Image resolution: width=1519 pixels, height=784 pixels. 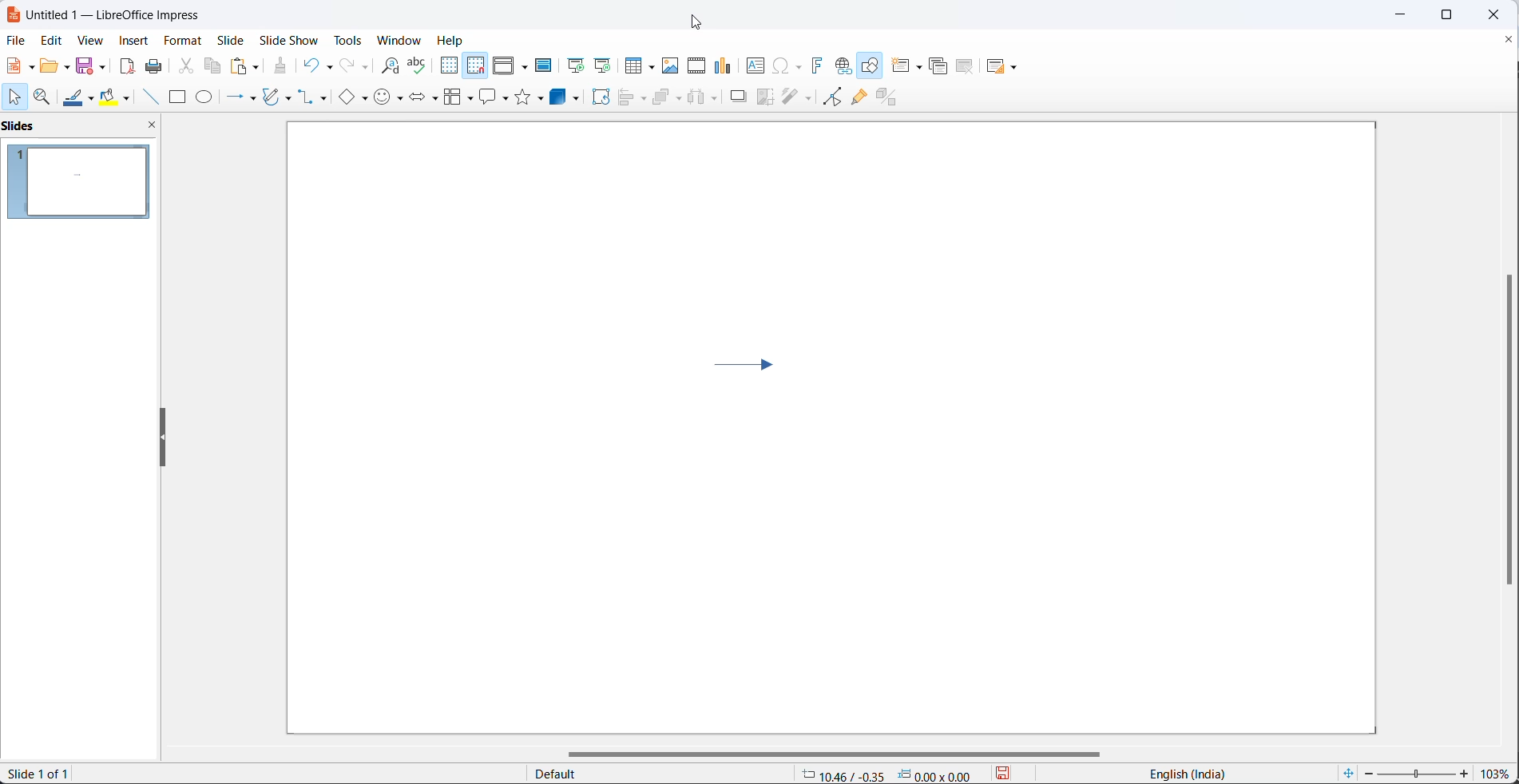 I want to click on Untitled 1- LibreOffice impress, so click(x=113, y=14).